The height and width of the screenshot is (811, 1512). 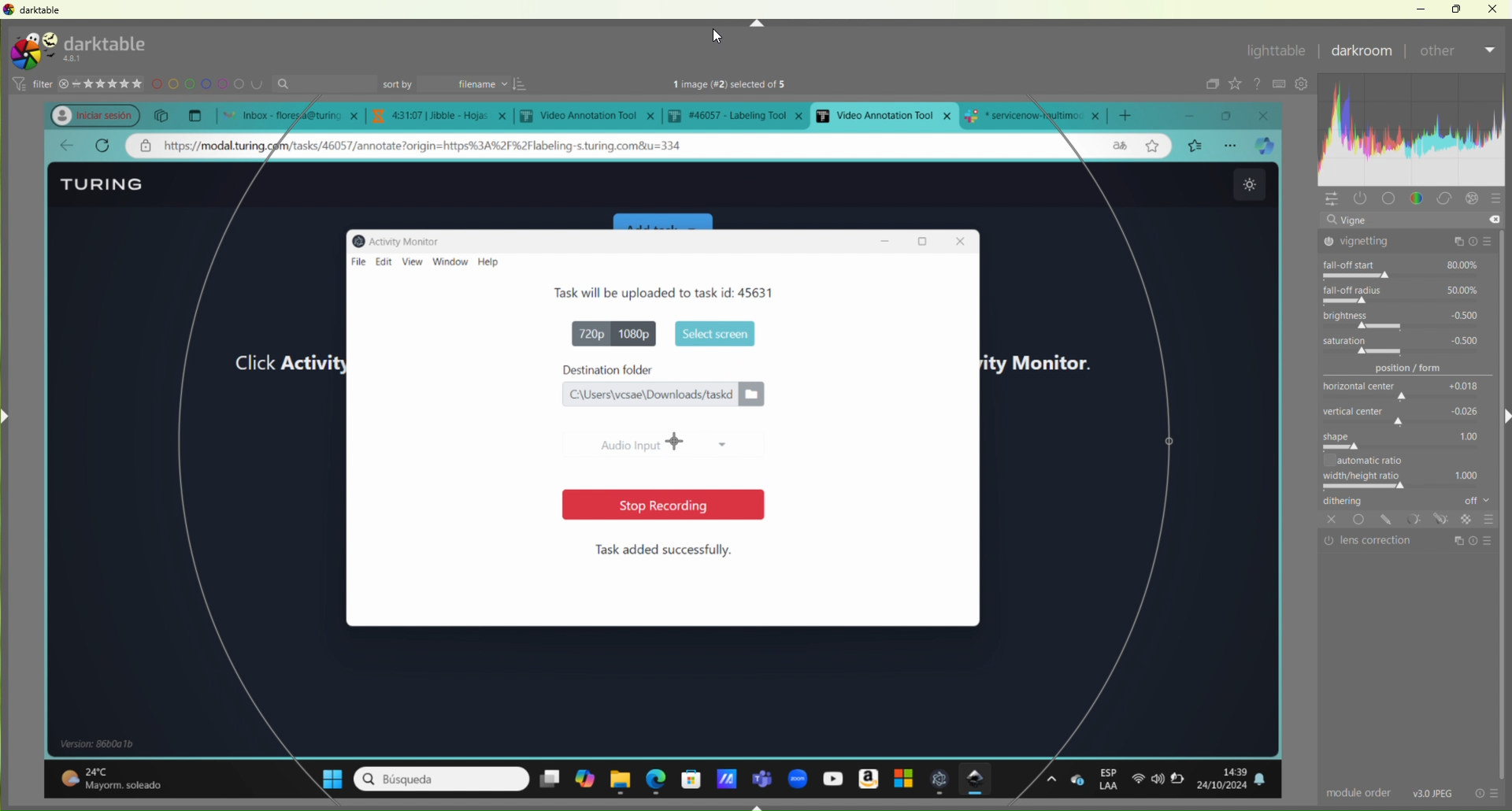 I want to click on info, so click(x=1488, y=792).